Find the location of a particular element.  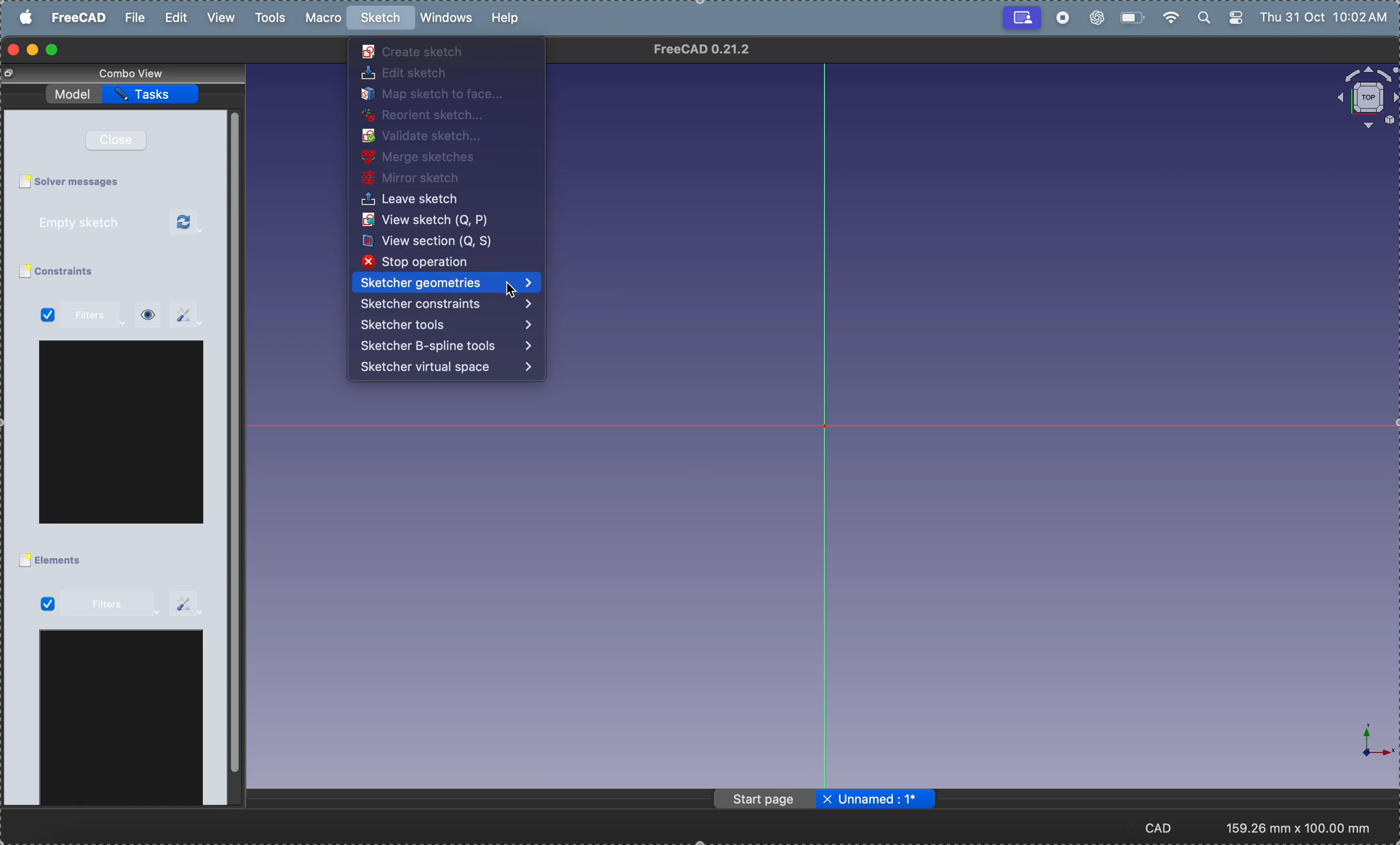

map sketch to face is located at coordinates (442, 95).